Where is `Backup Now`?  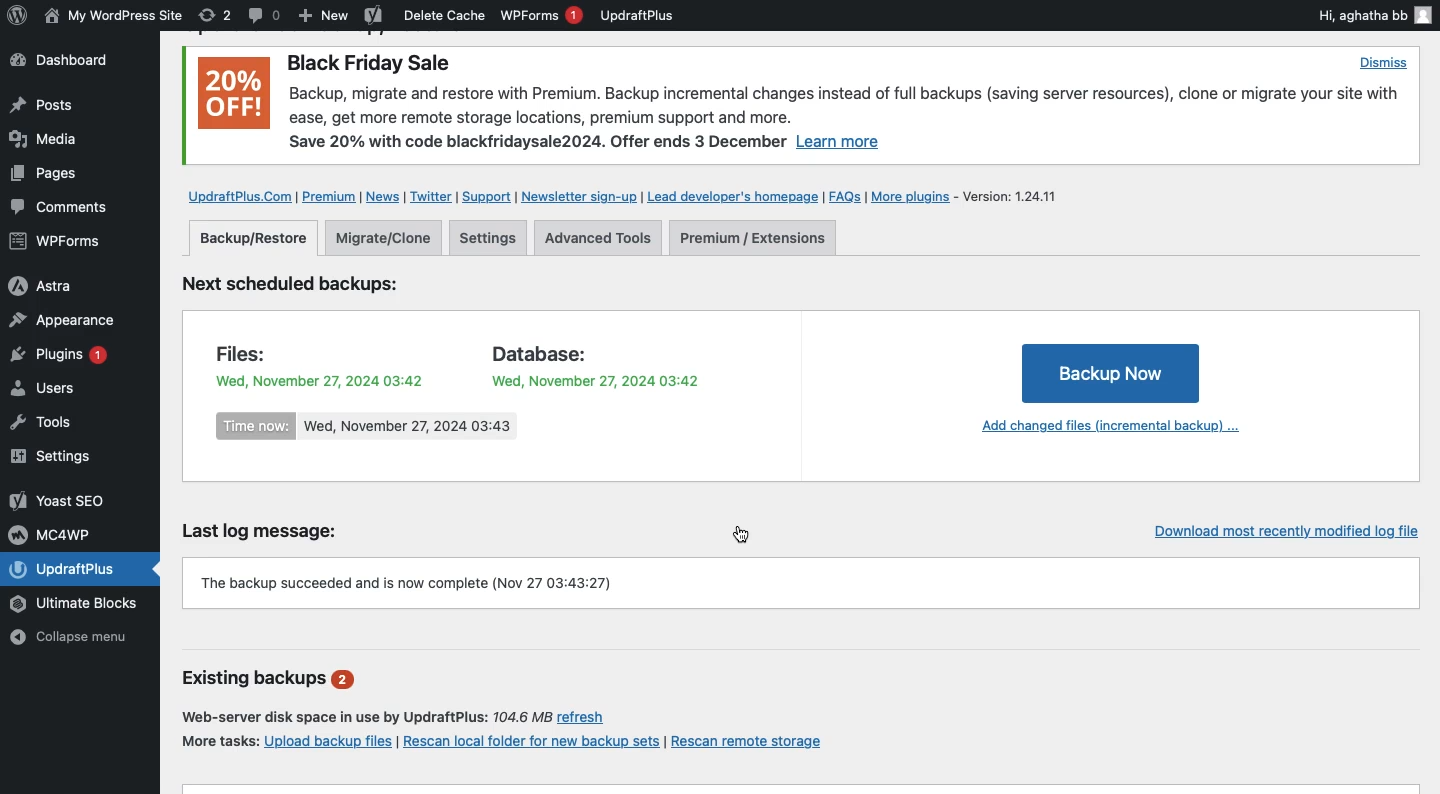 Backup Now is located at coordinates (1110, 372).